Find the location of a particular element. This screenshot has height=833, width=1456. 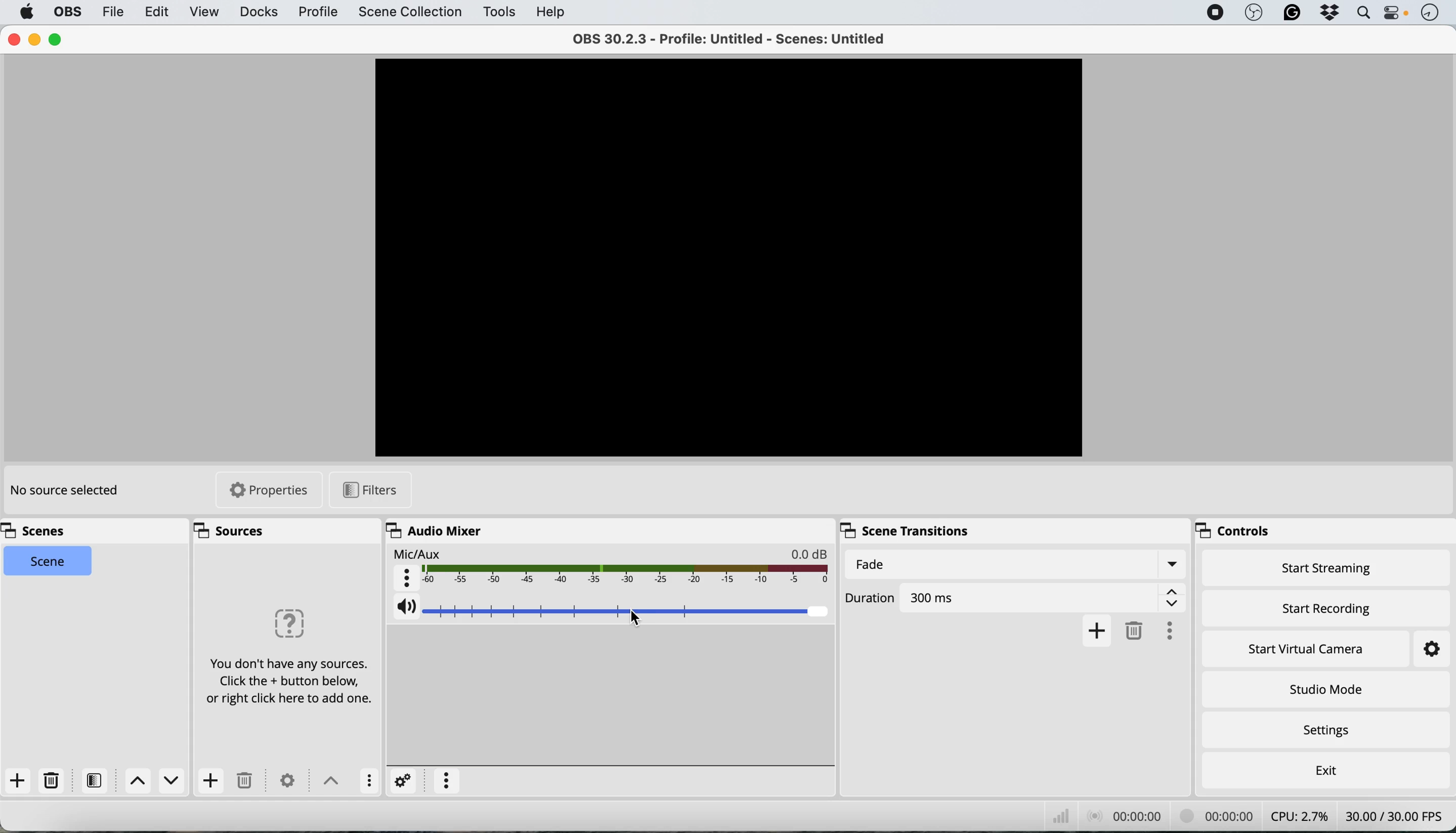

spotlight search is located at coordinates (1361, 13).